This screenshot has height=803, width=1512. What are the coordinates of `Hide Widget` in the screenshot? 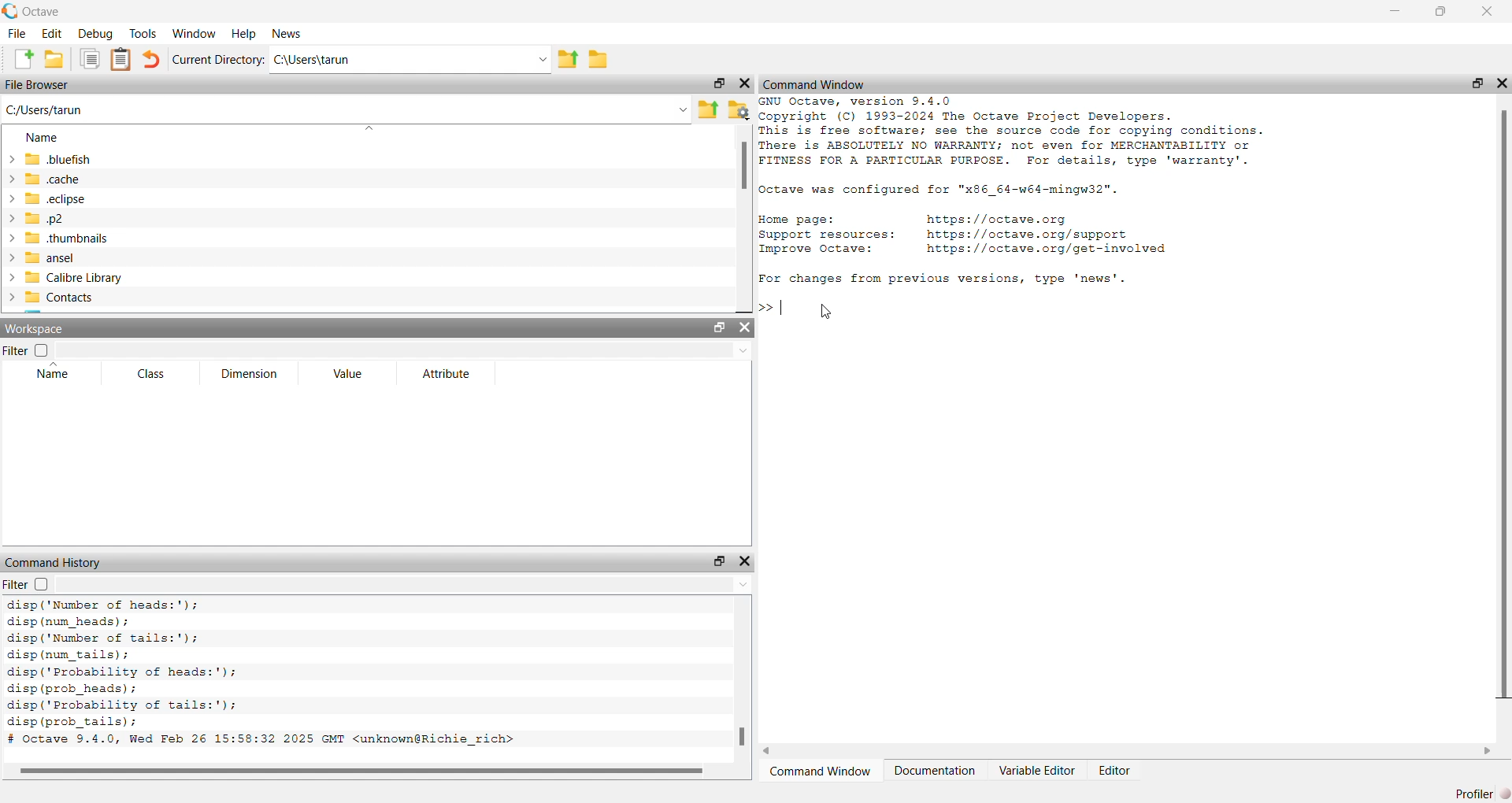 It's located at (745, 561).